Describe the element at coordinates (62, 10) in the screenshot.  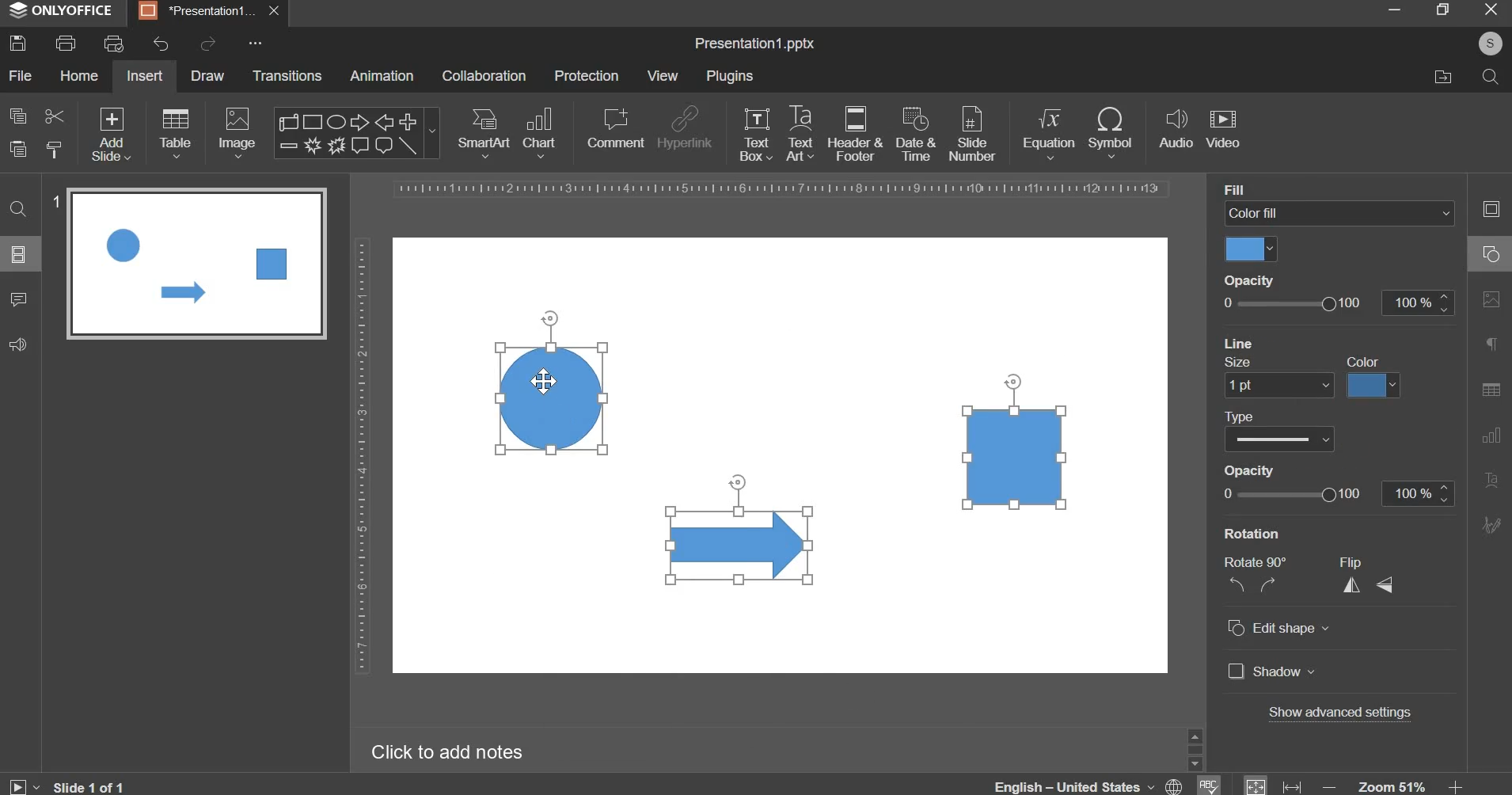
I see `* ONLYOFFICE` at that location.